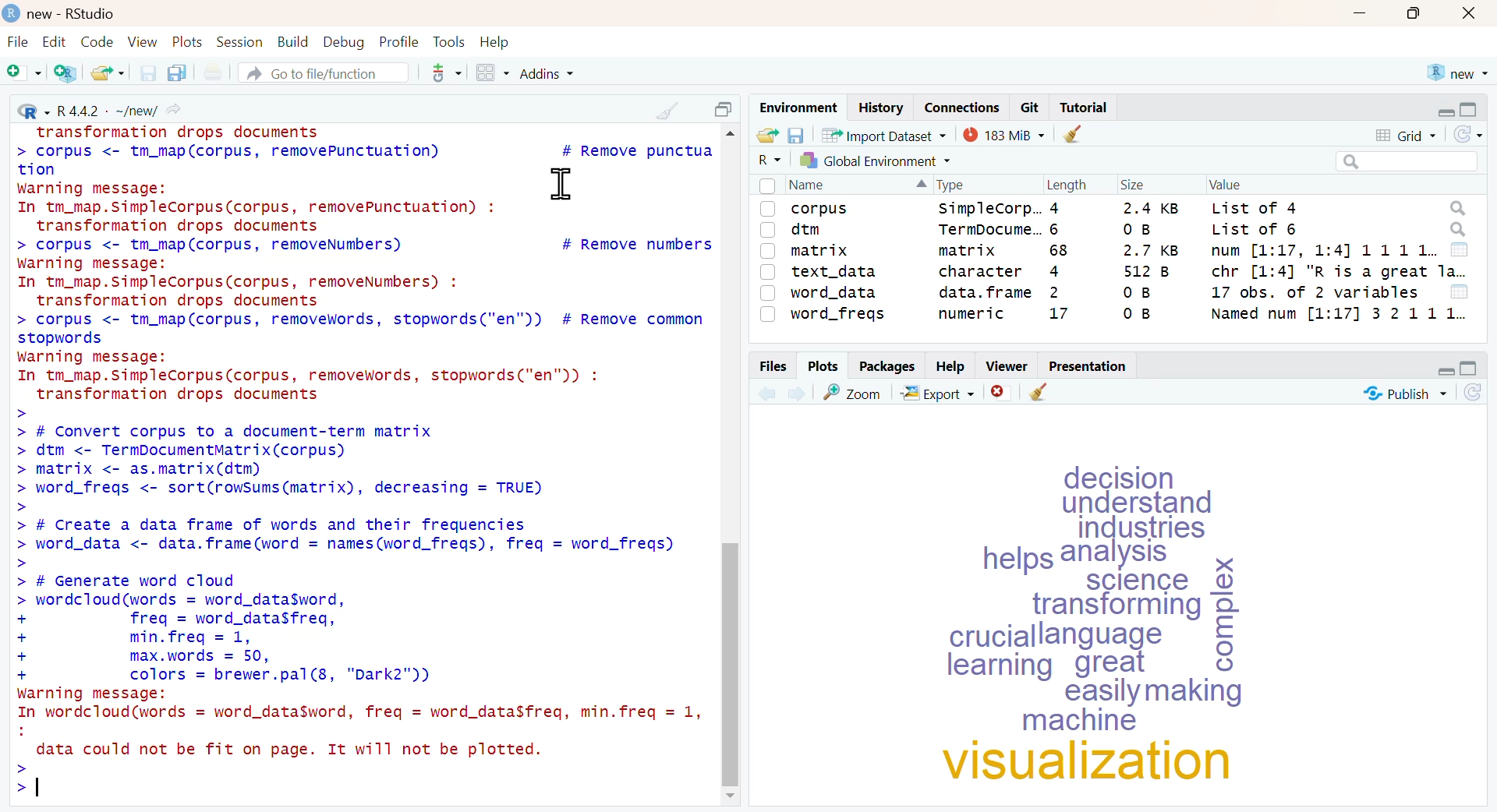 This screenshot has height=812, width=1497. What do you see at coordinates (1469, 14) in the screenshot?
I see `close` at bounding box center [1469, 14].